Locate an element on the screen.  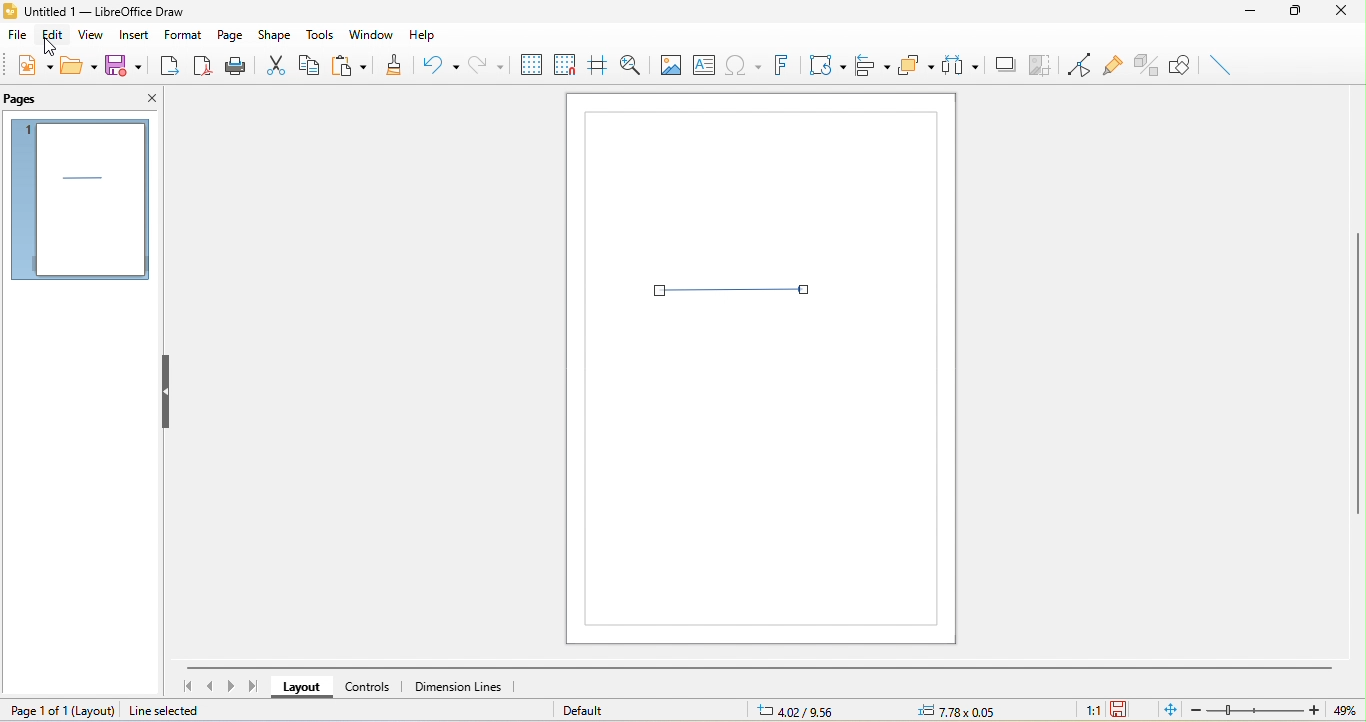
minimize is located at coordinates (1250, 15).